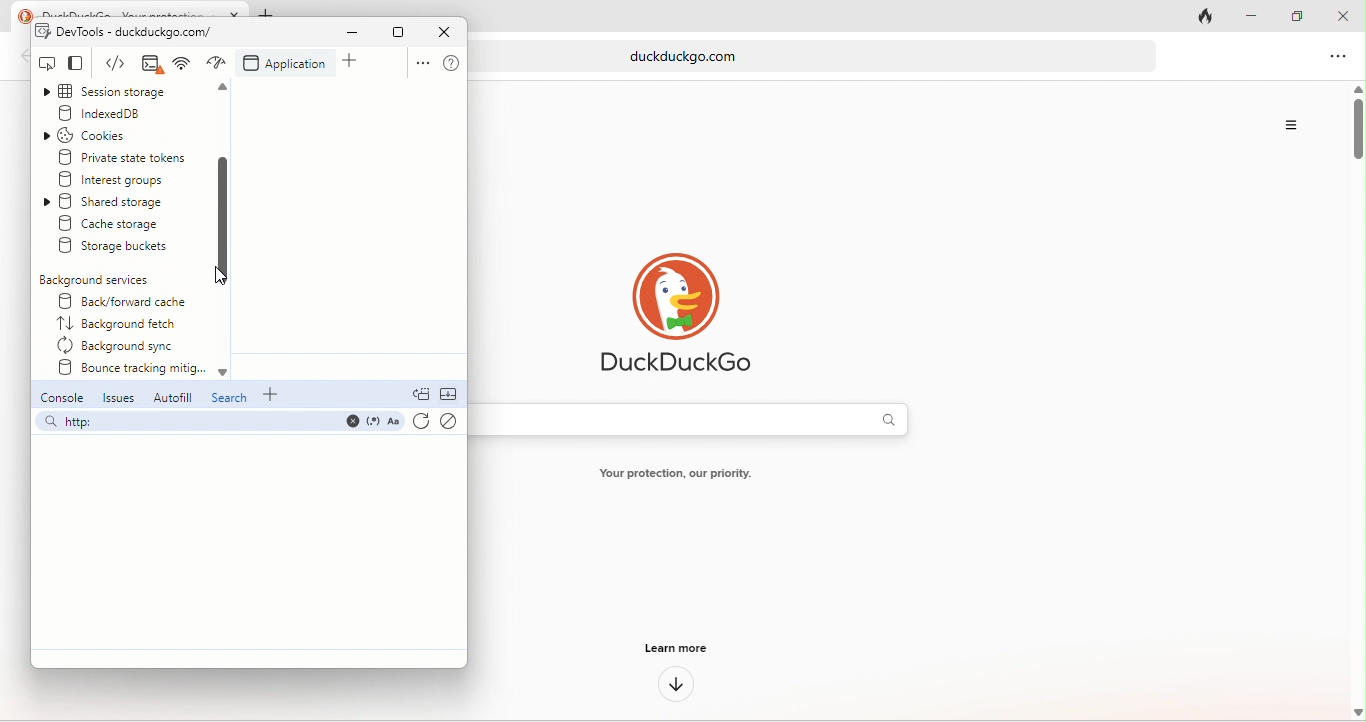 This screenshot has height=722, width=1366. What do you see at coordinates (148, 65) in the screenshot?
I see `elements` at bounding box center [148, 65].